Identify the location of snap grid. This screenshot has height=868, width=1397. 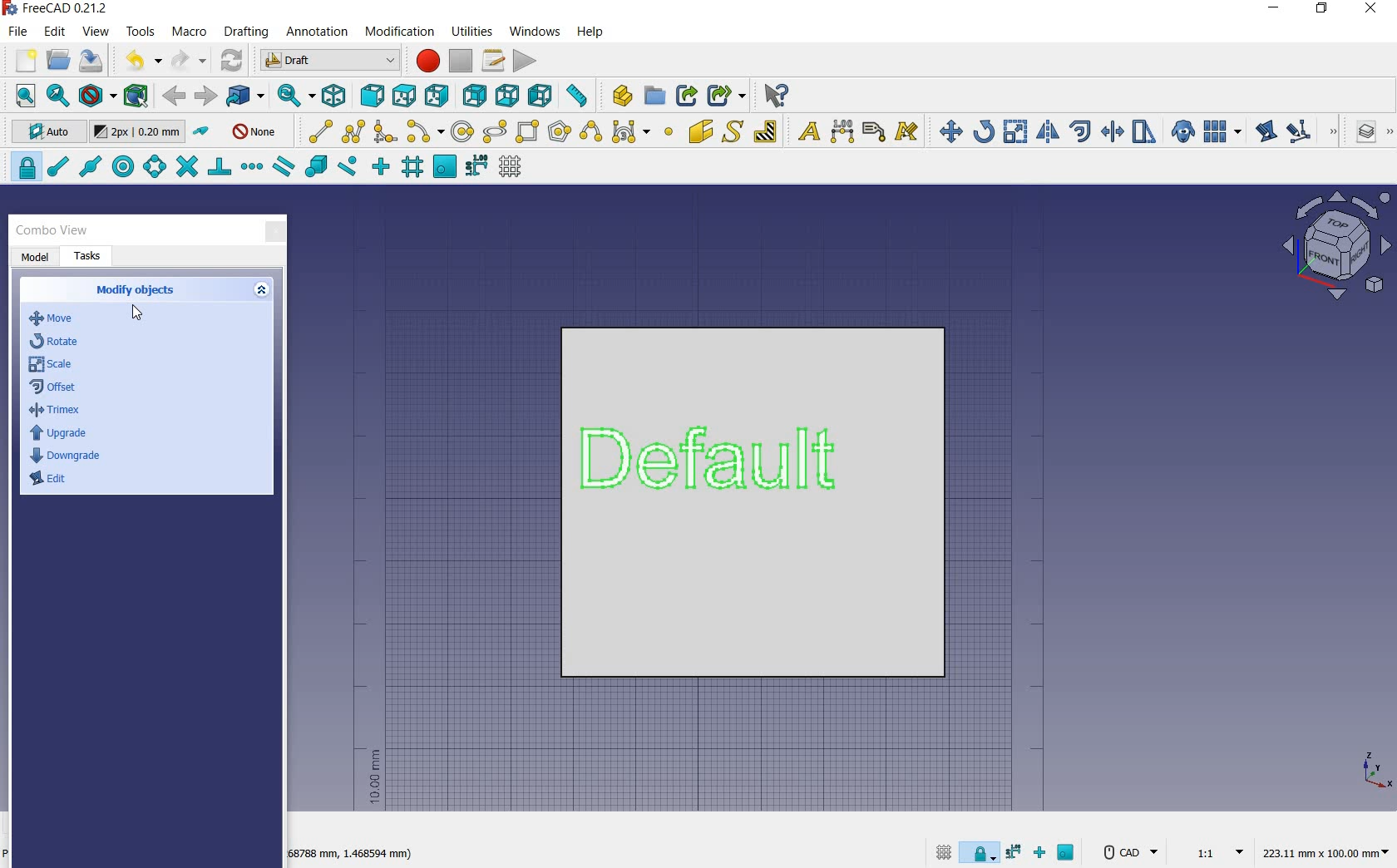
(411, 169).